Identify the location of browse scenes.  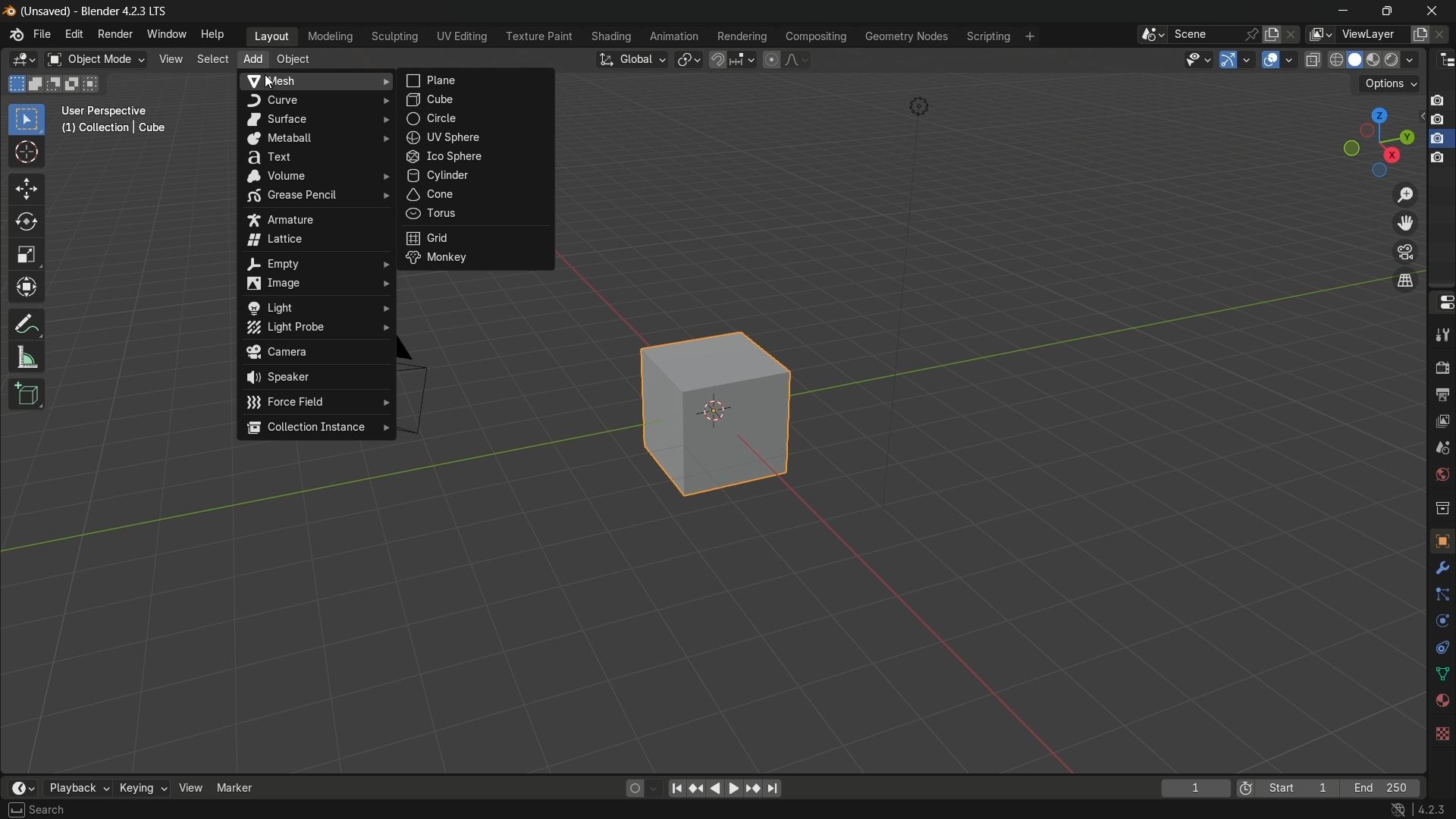
(1153, 35).